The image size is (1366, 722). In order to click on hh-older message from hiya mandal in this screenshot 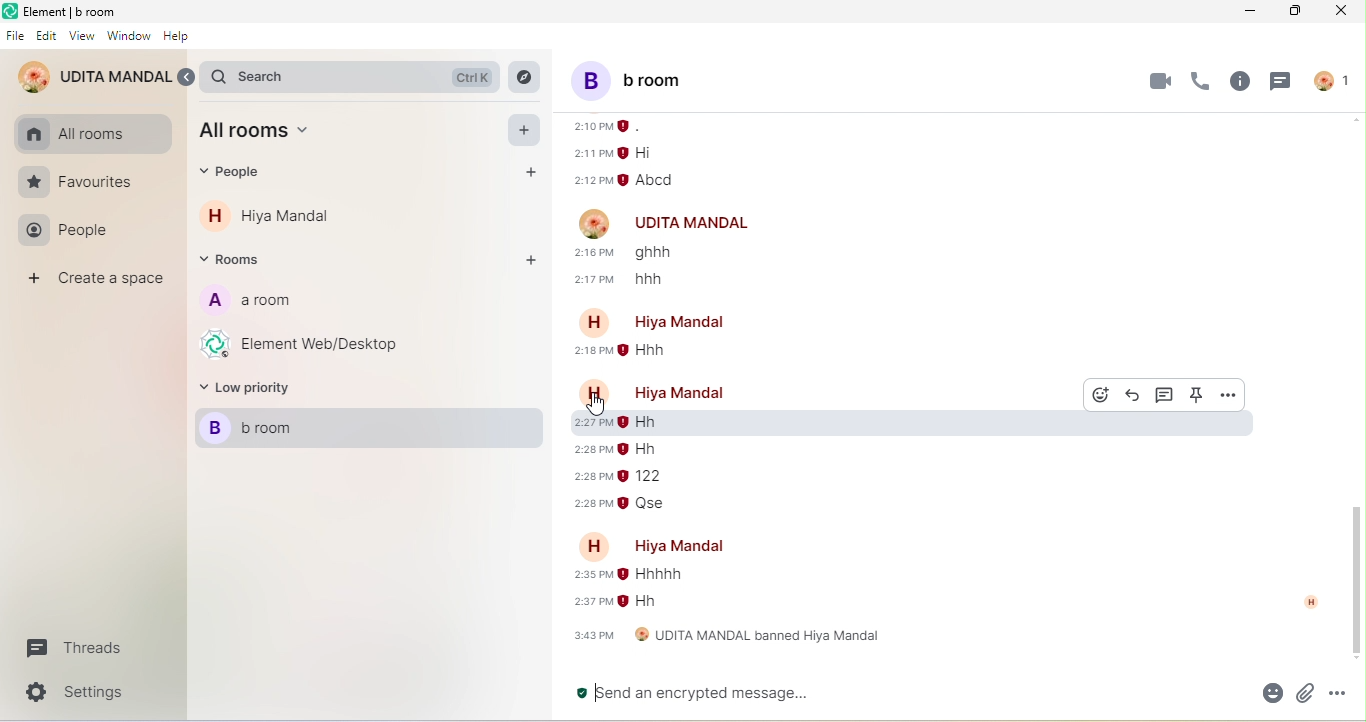, I will do `click(651, 421)`.